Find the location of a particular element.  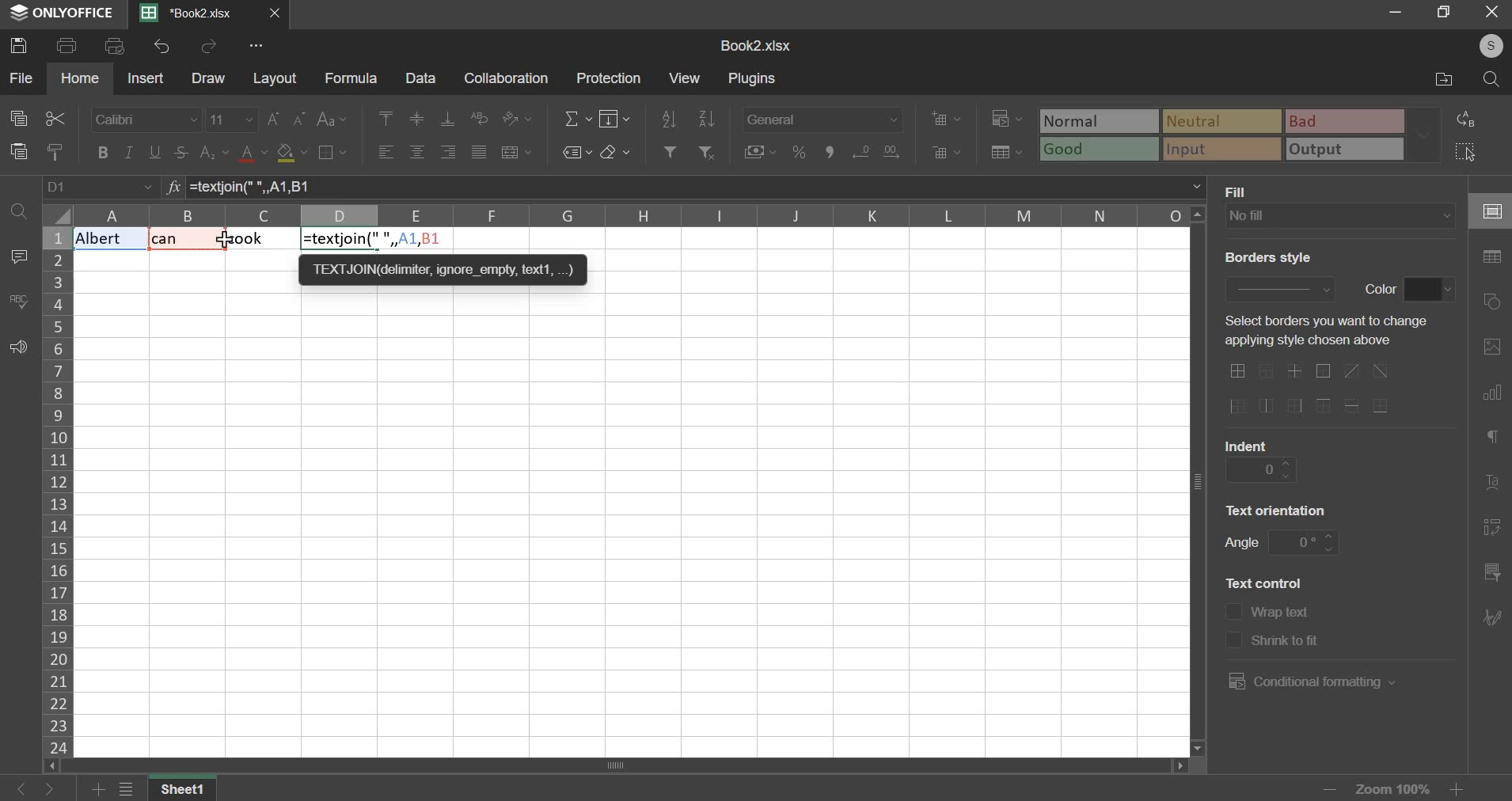

increase decimals is located at coordinates (861, 150).